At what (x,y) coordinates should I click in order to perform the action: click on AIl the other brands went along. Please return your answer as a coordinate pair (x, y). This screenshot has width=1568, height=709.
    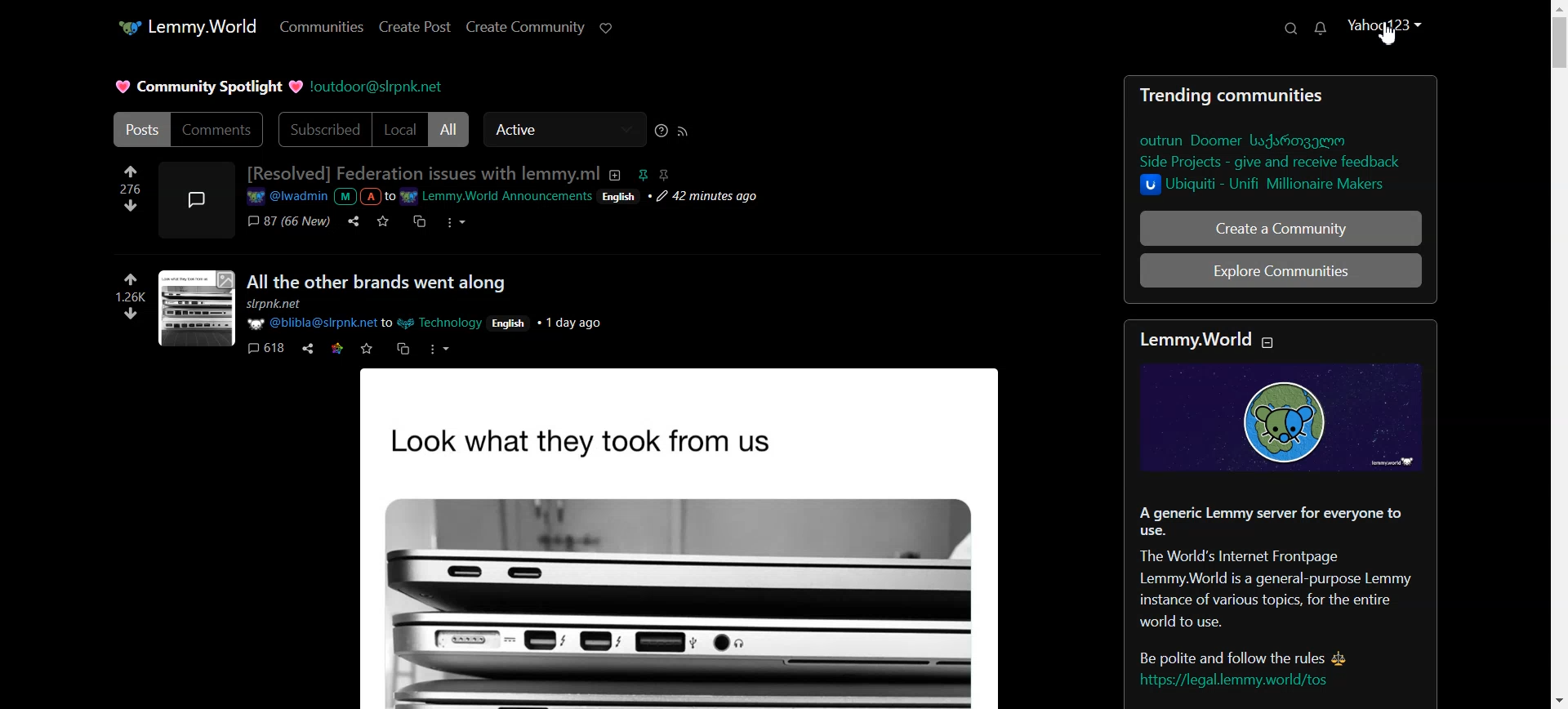
    Looking at the image, I should click on (373, 283).